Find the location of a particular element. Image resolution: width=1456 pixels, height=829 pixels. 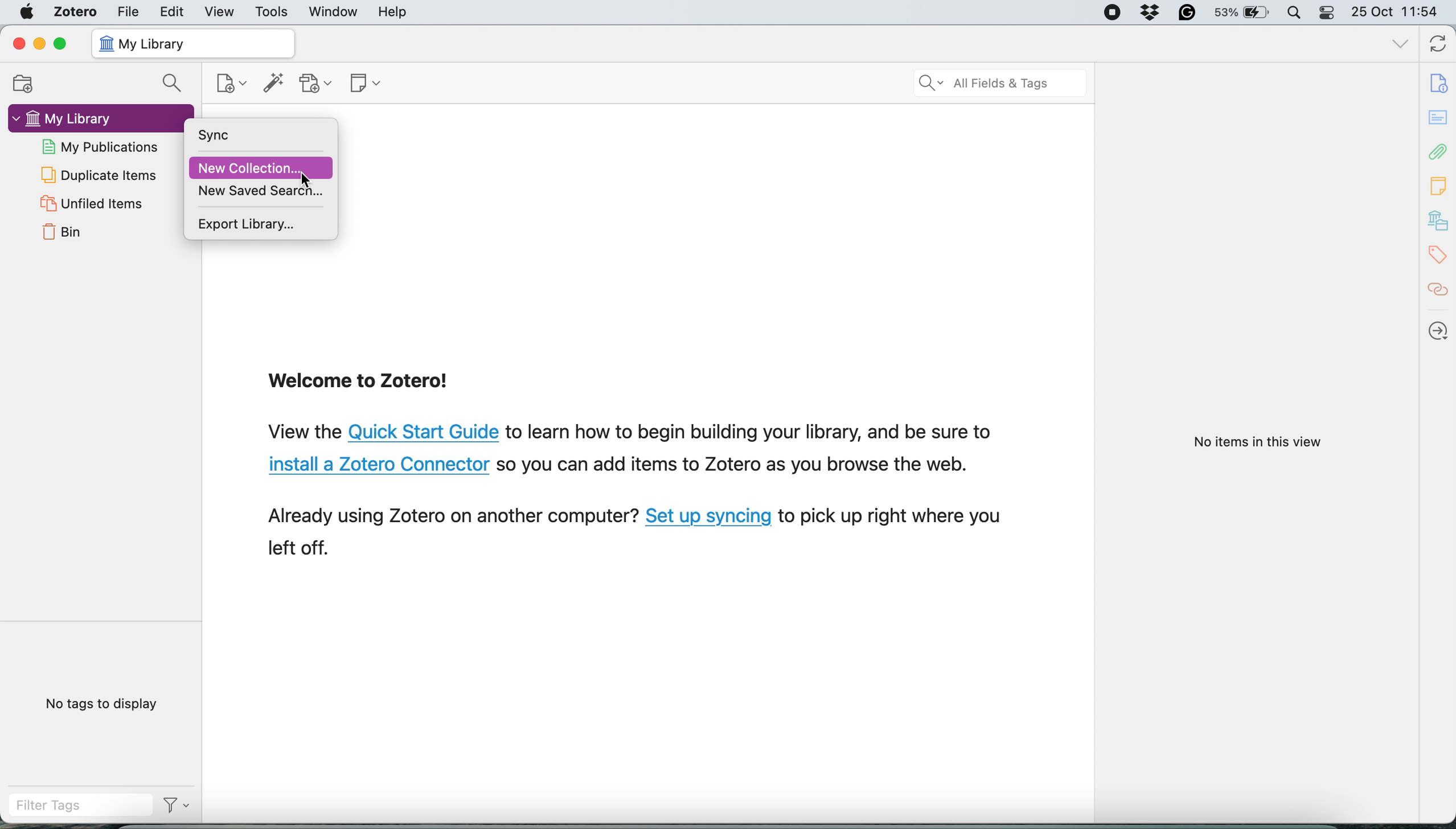

new note is located at coordinates (364, 84).